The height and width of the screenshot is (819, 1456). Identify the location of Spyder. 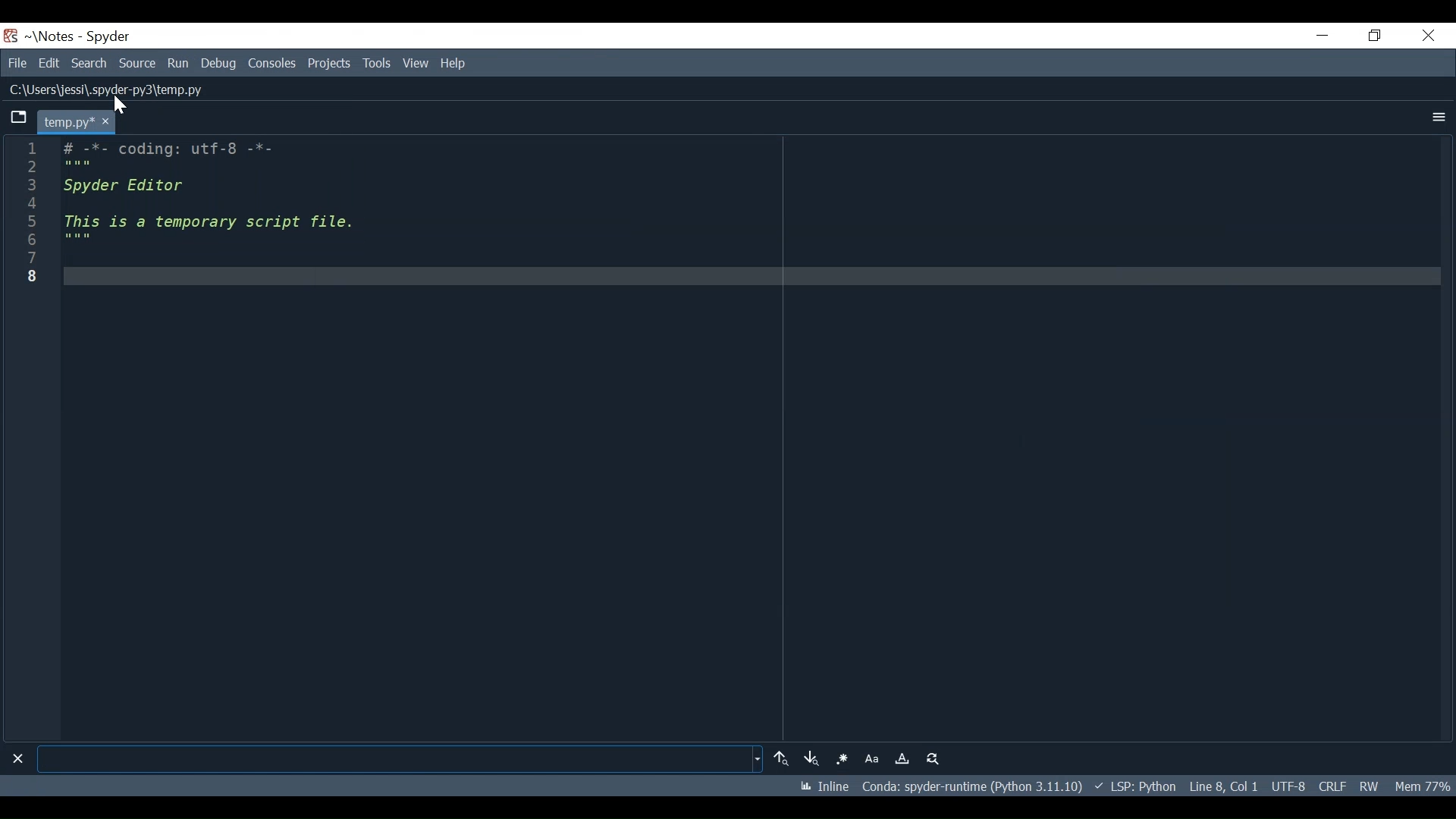
(102, 37).